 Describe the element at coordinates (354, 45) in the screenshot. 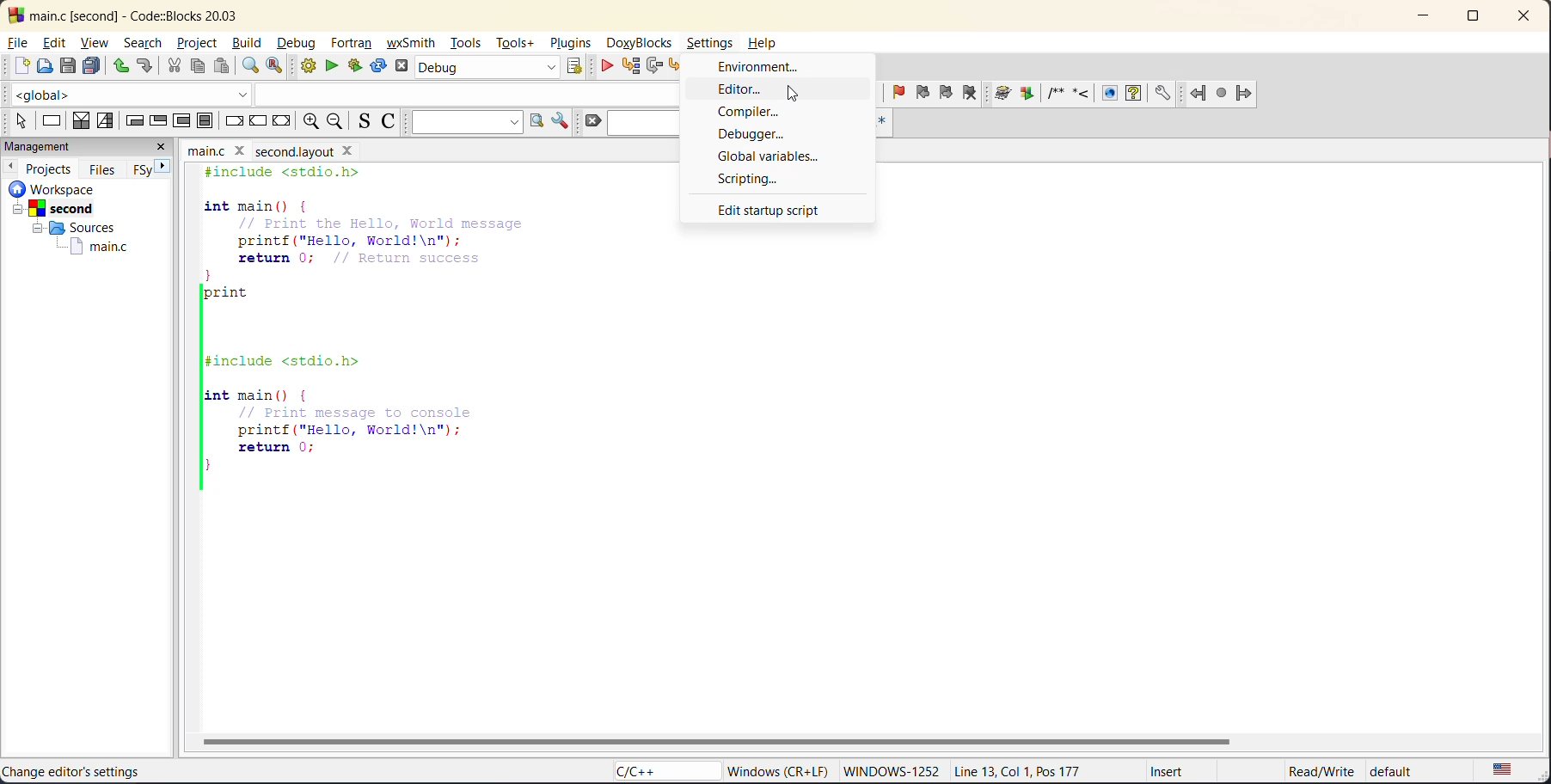

I see `fortran` at that location.